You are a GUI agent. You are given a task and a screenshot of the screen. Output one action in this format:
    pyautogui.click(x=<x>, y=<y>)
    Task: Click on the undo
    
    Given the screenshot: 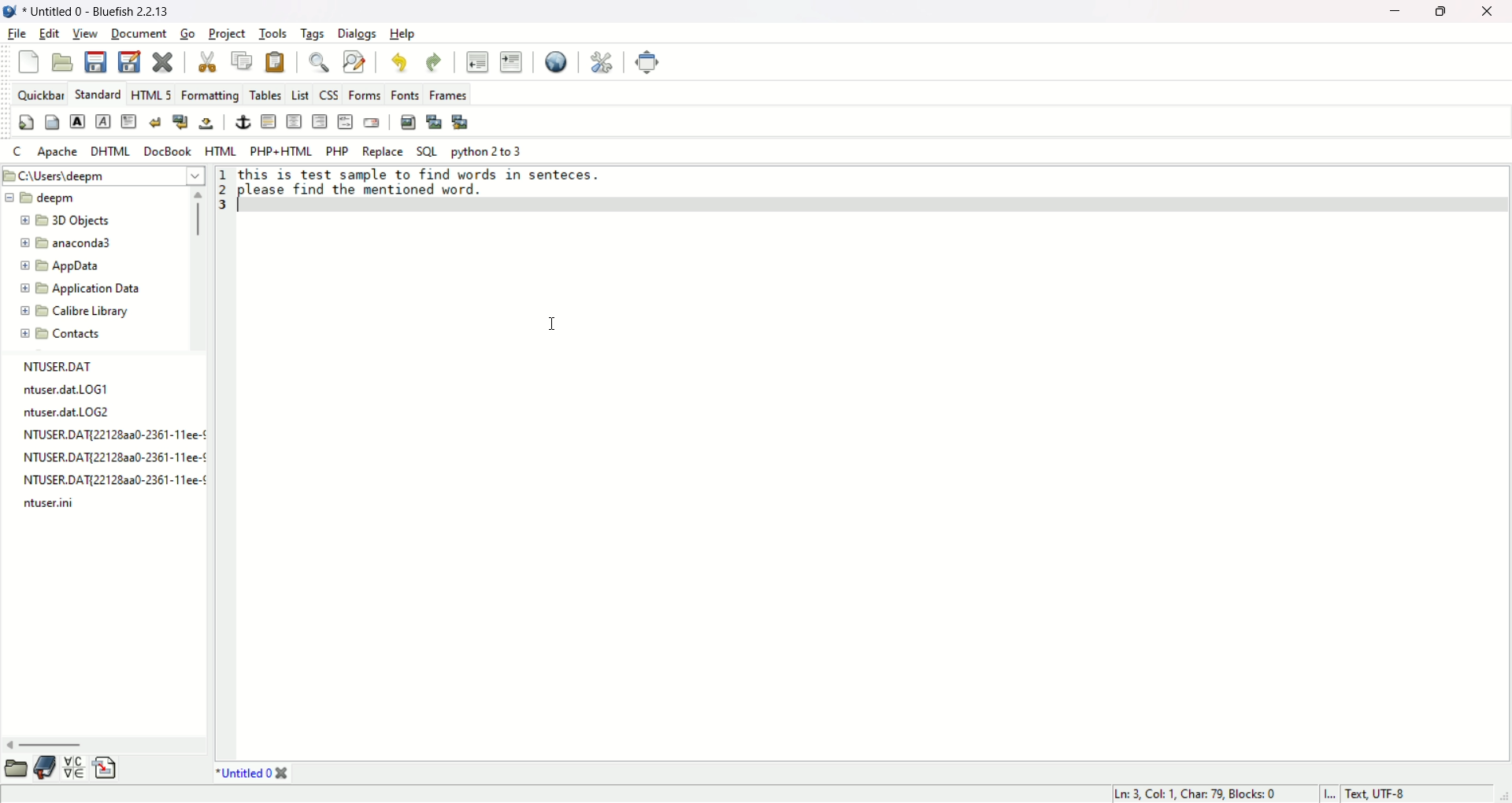 What is the action you would take?
    pyautogui.click(x=398, y=62)
    